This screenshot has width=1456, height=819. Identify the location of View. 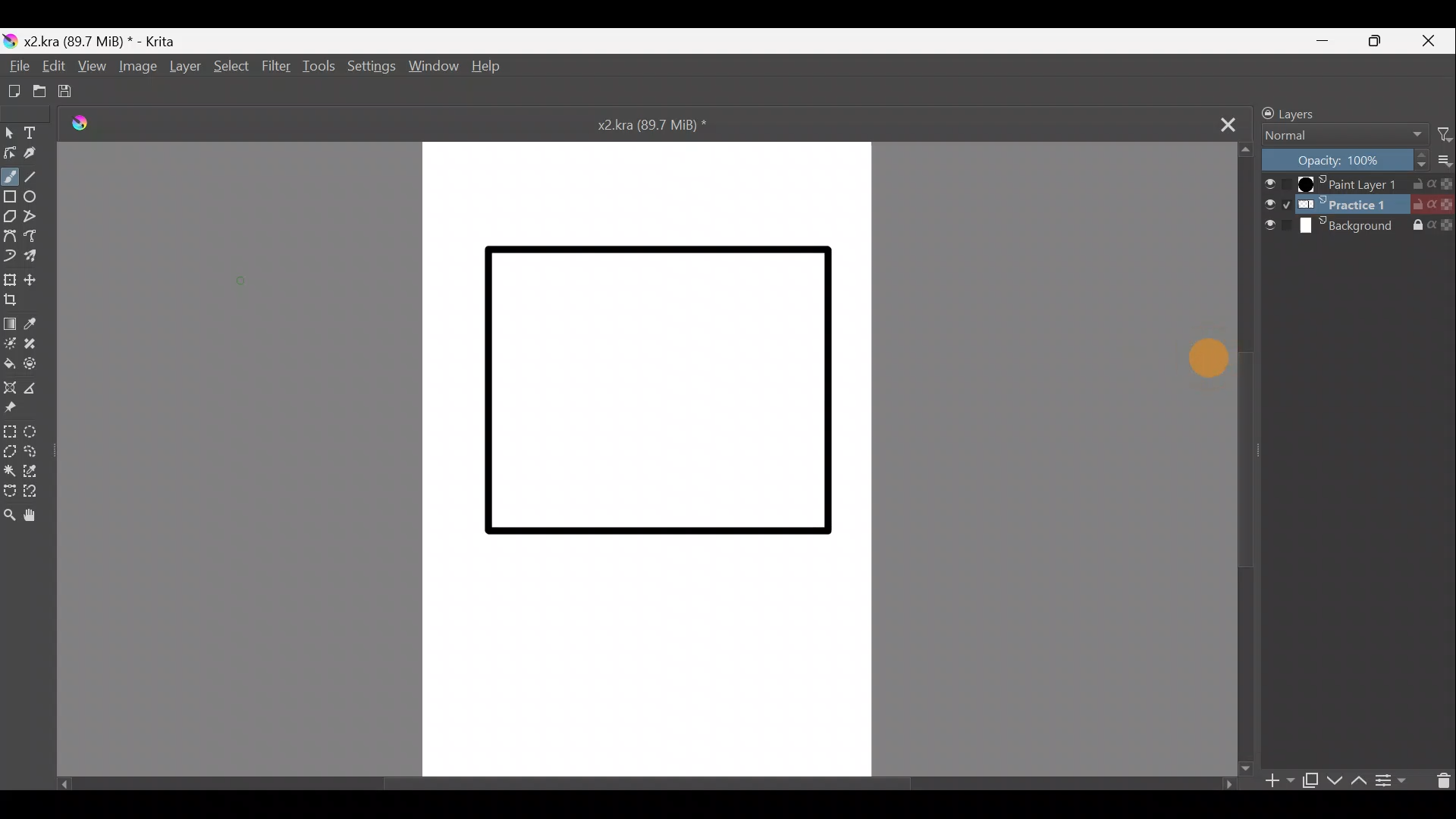
(96, 67).